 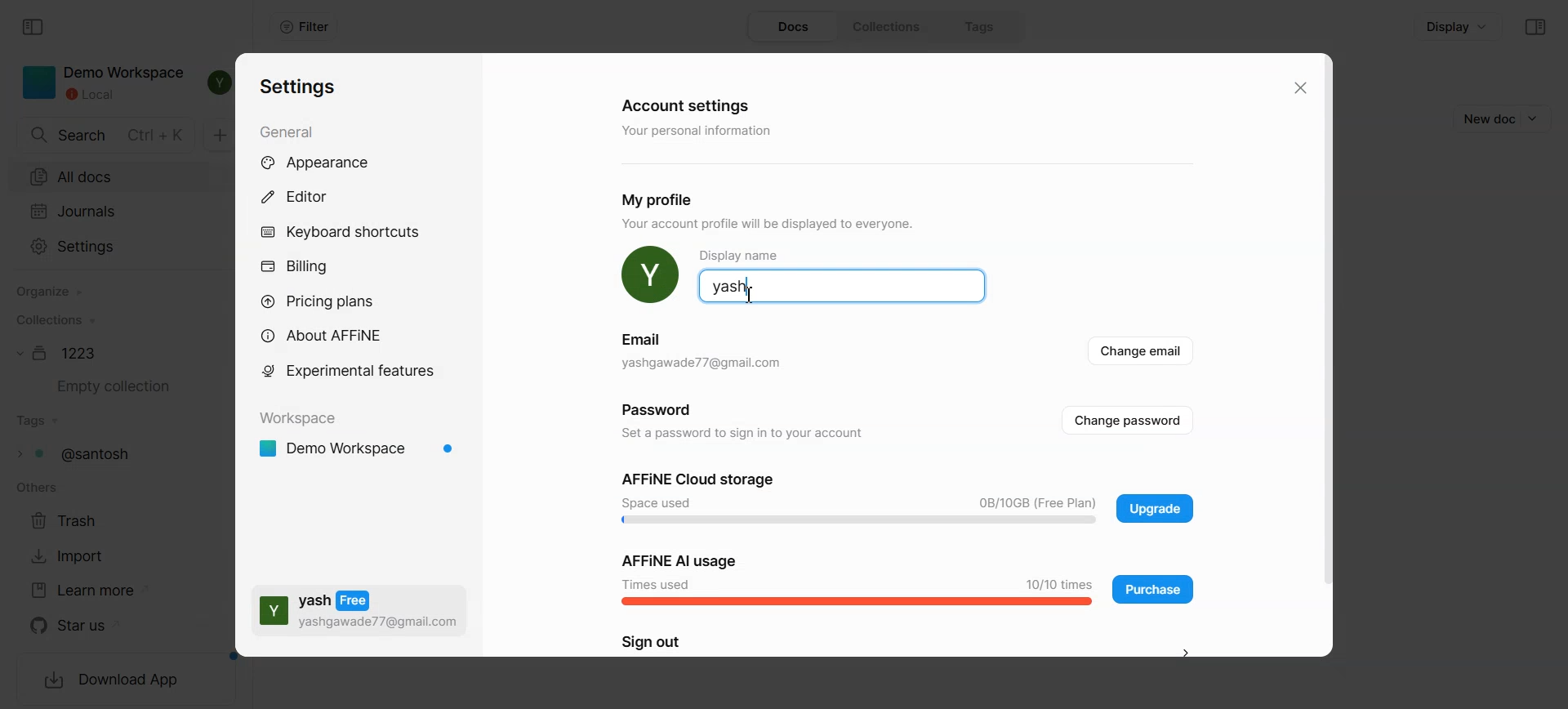 What do you see at coordinates (104, 83) in the screenshot?
I see `Demo Workspace` at bounding box center [104, 83].